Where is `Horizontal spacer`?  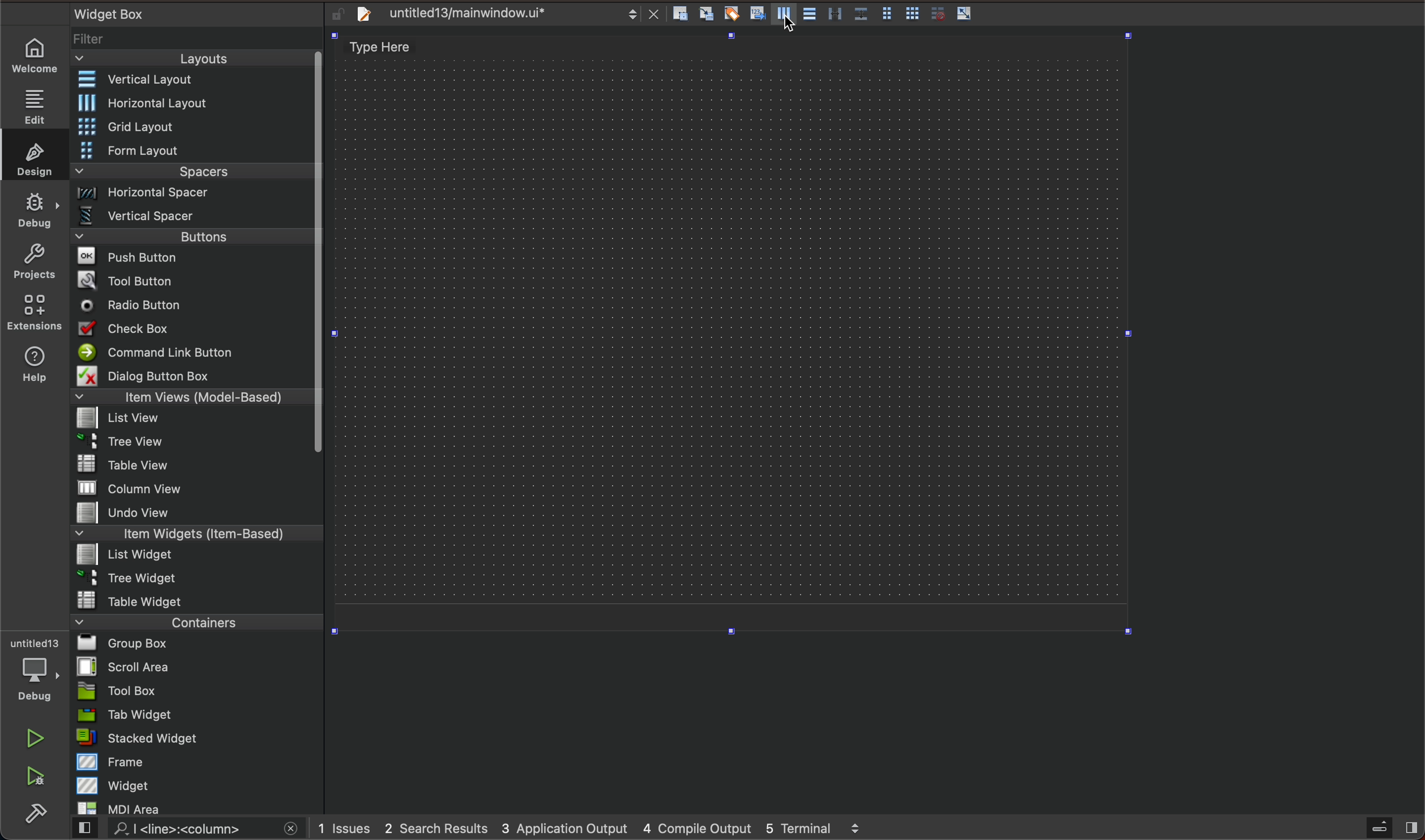 Horizontal spacer is located at coordinates (192, 194).